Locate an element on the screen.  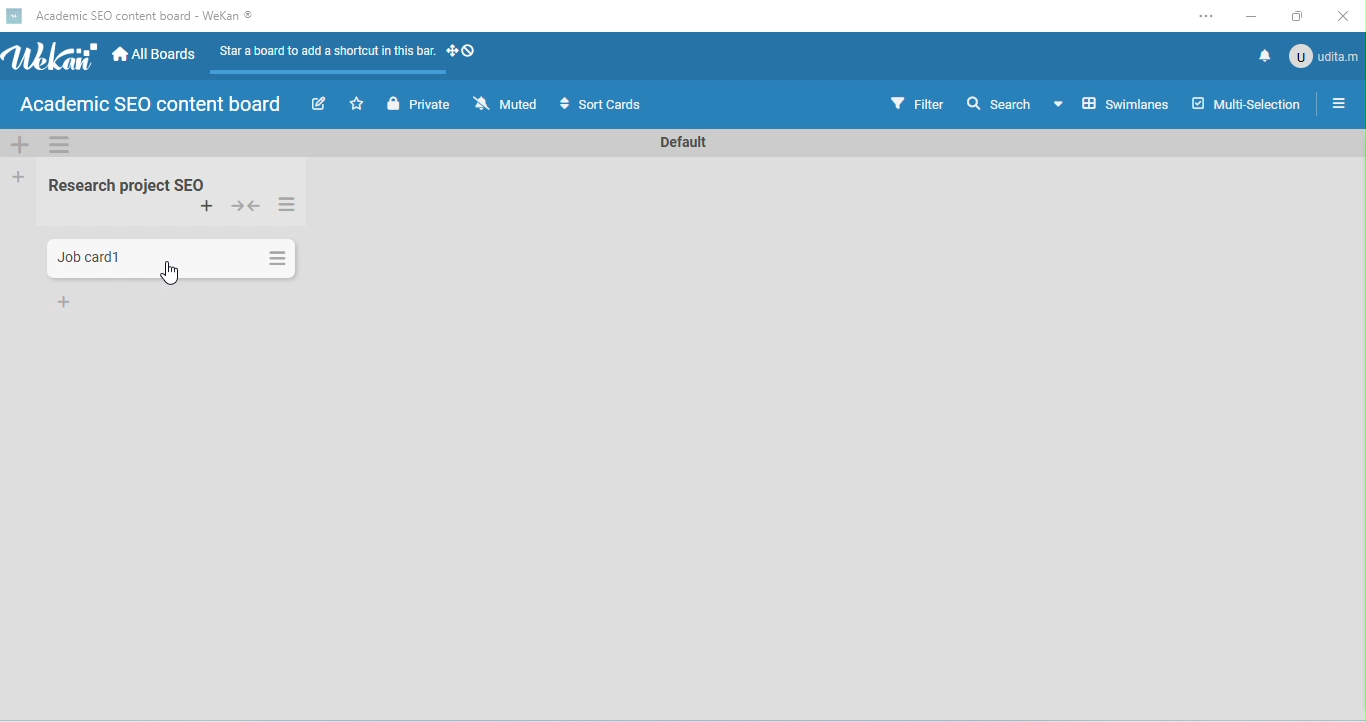
search is located at coordinates (999, 102).